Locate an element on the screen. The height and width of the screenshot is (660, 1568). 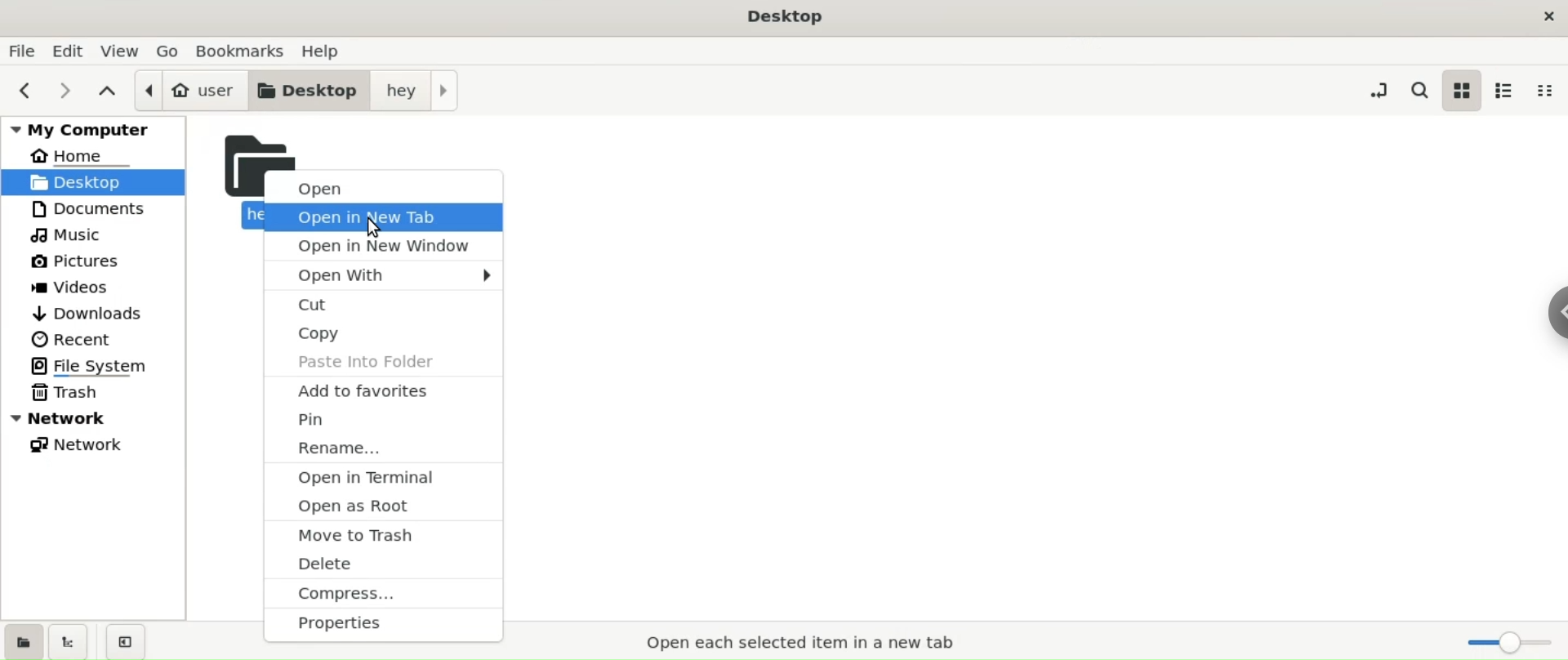
edit is located at coordinates (66, 51).